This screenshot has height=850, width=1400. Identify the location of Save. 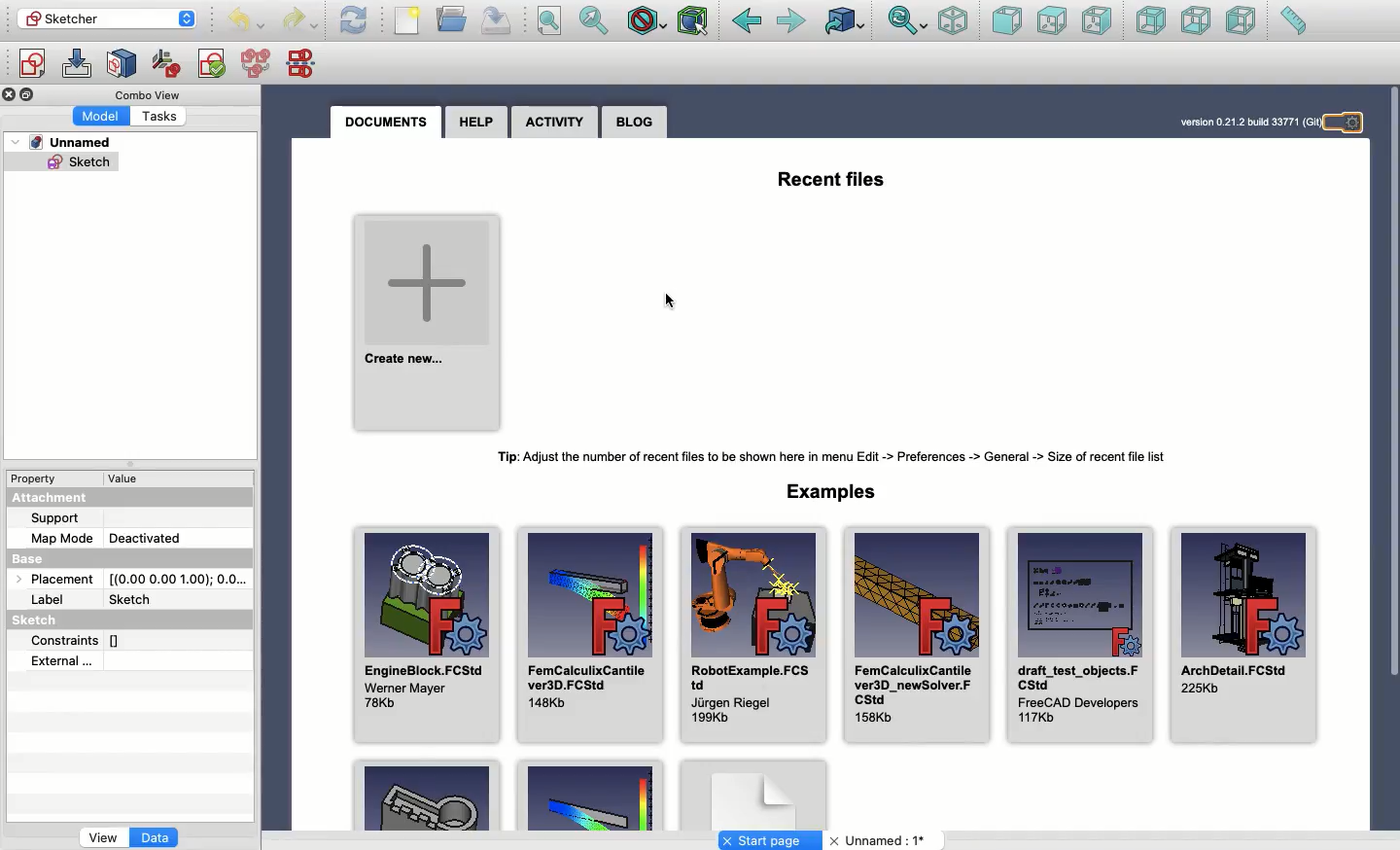
(497, 19).